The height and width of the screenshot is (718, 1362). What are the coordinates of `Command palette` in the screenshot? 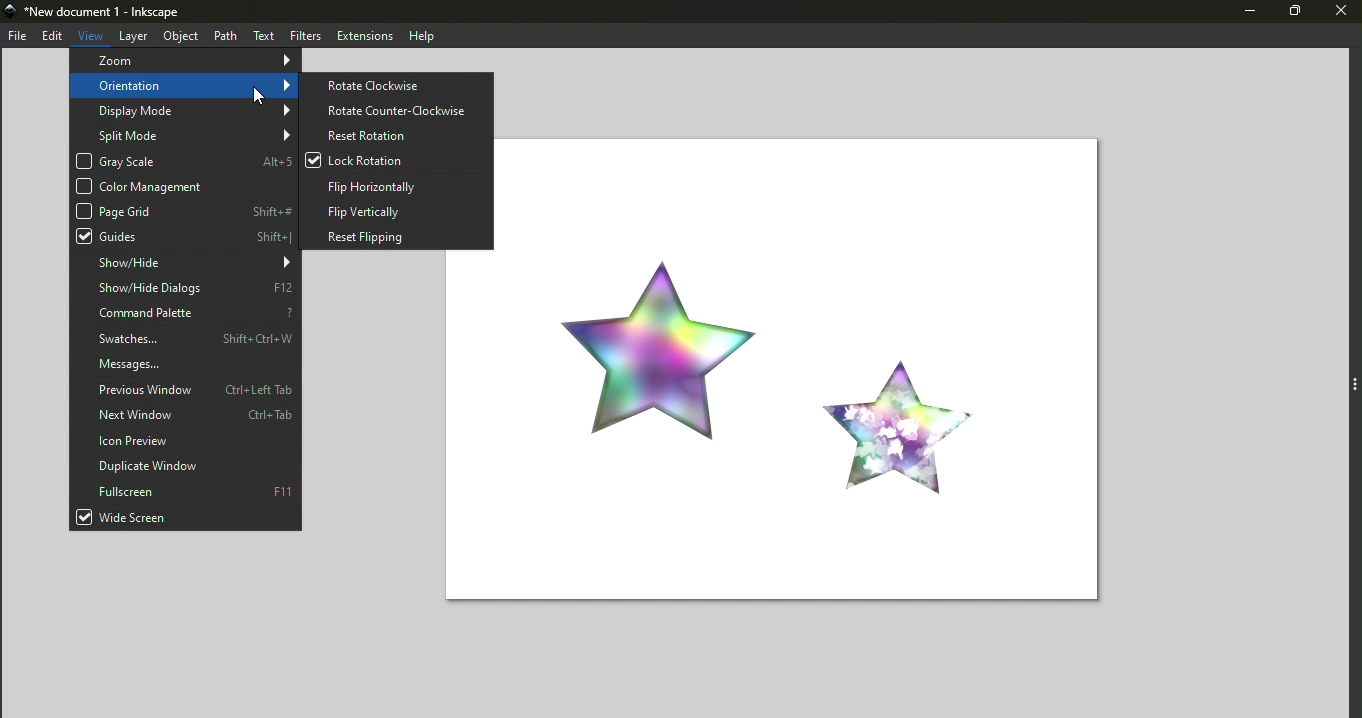 It's located at (186, 314).